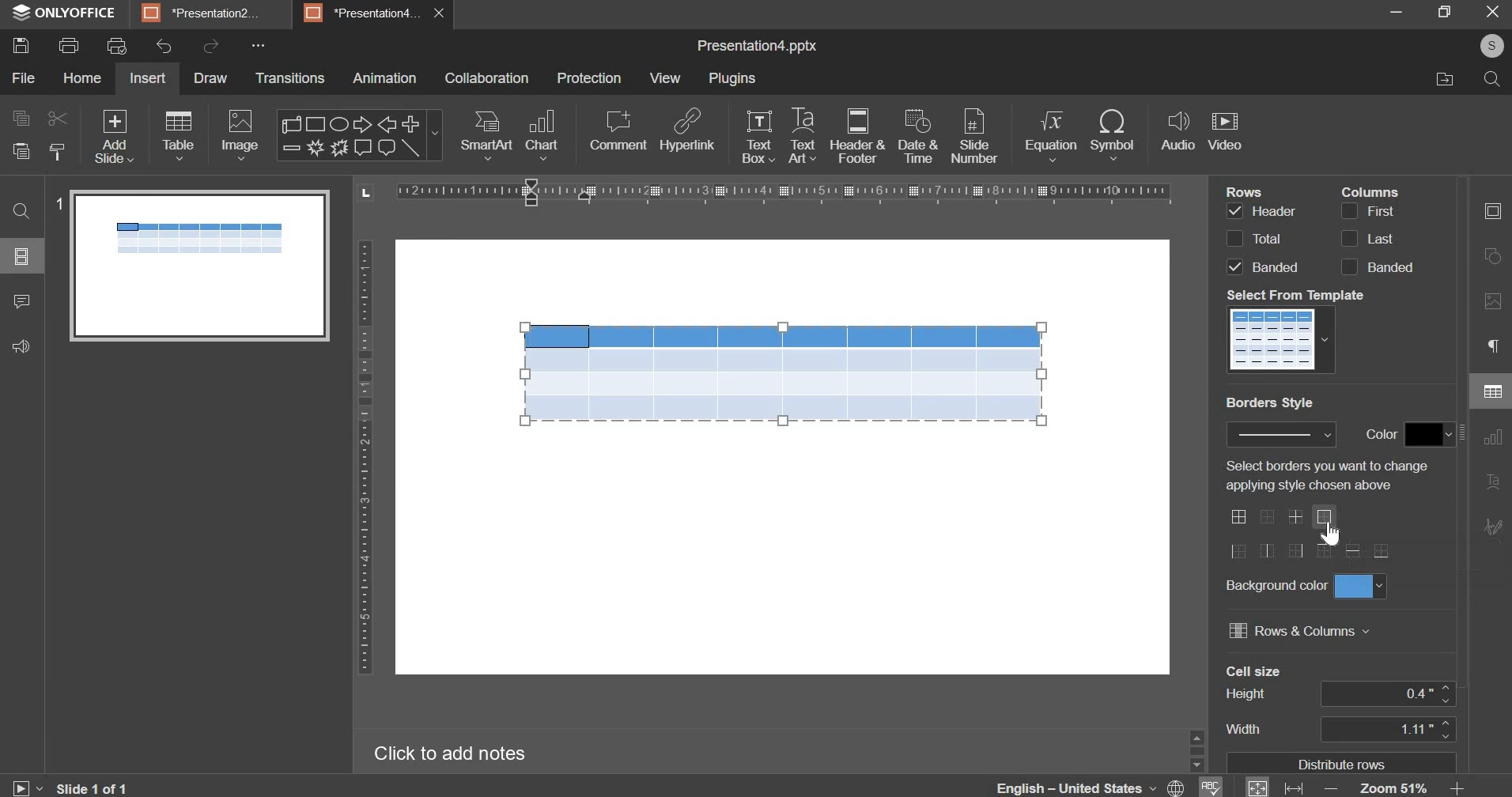  Describe the element at coordinates (83, 77) in the screenshot. I see `home` at that location.